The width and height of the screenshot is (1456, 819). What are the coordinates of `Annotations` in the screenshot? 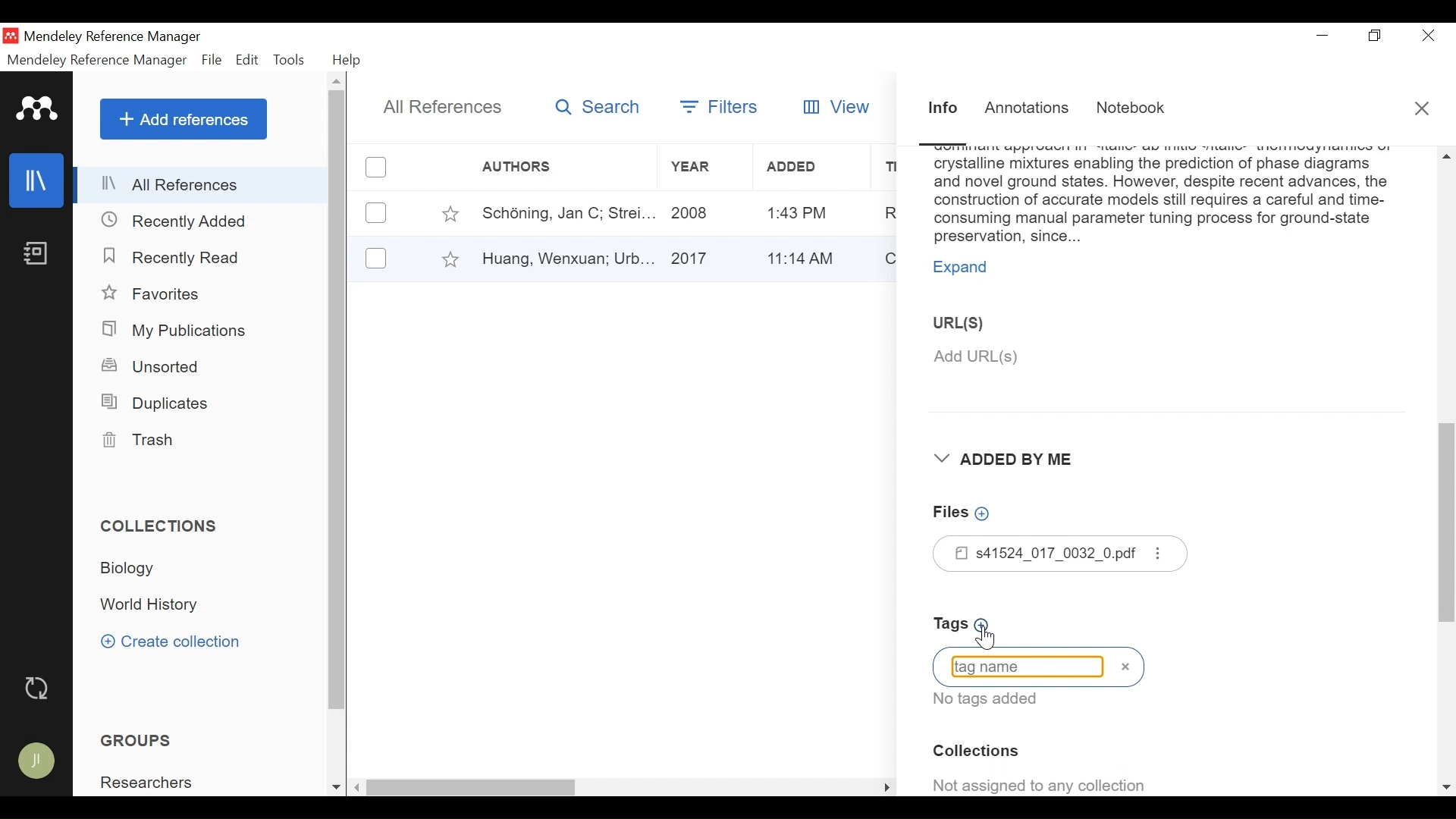 It's located at (1028, 110).